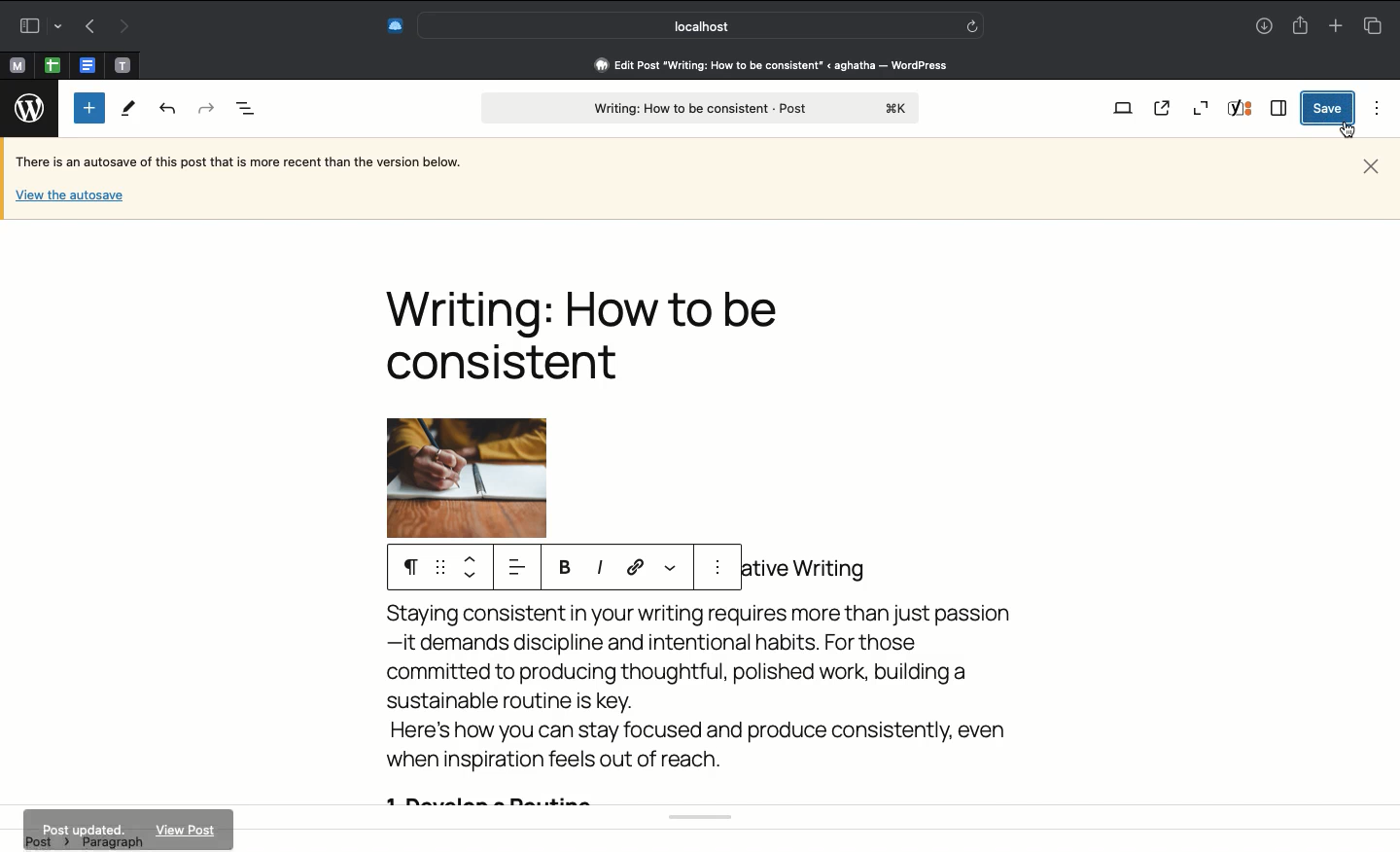 Image resolution: width=1400 pixels, height=852 pixels. Describe the element at coordinates (89, 108) in the screenshot. I see `Add new block` at that location.